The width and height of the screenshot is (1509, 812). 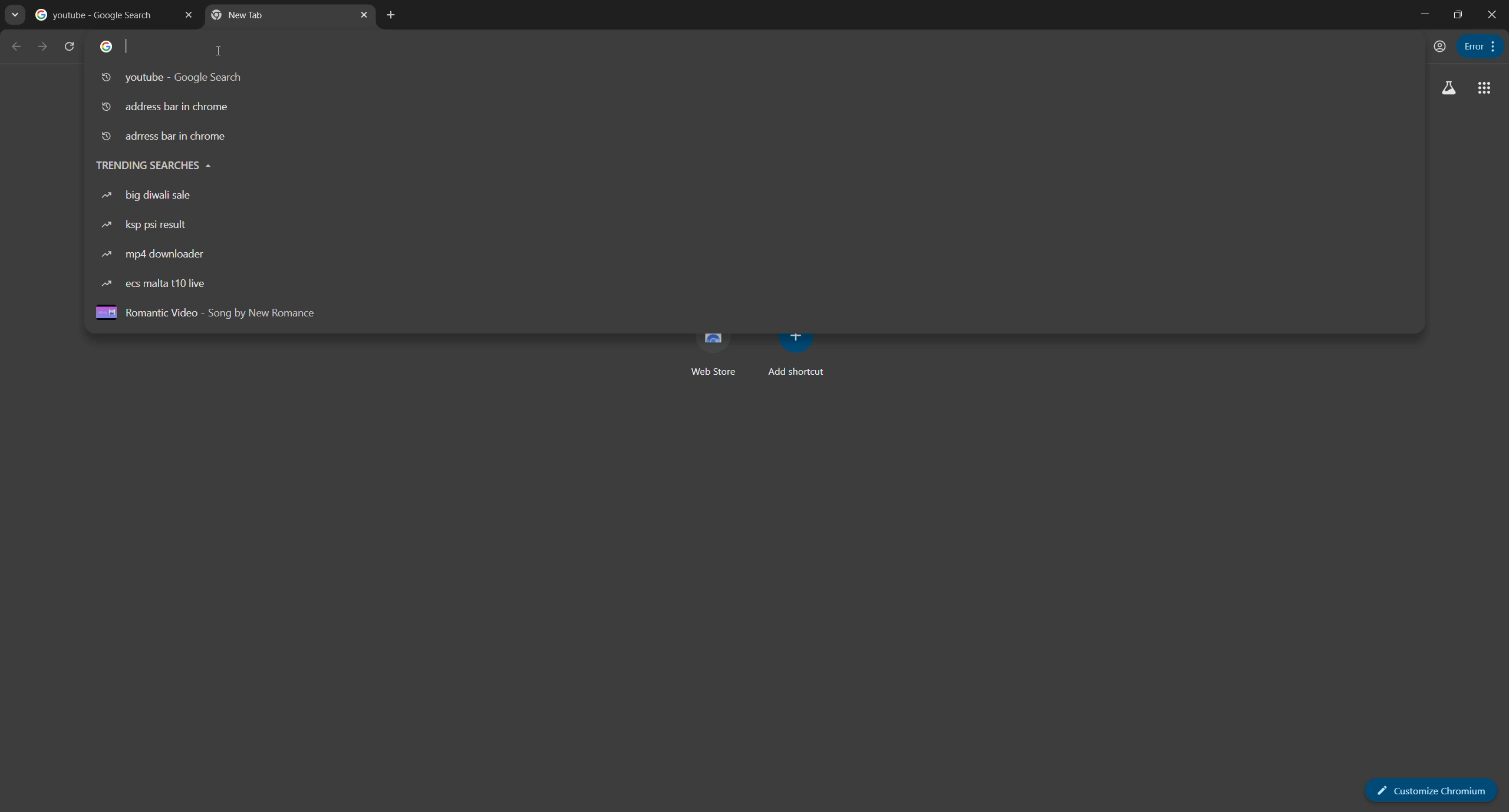 I want to click on close, so click(x=187, y=16).